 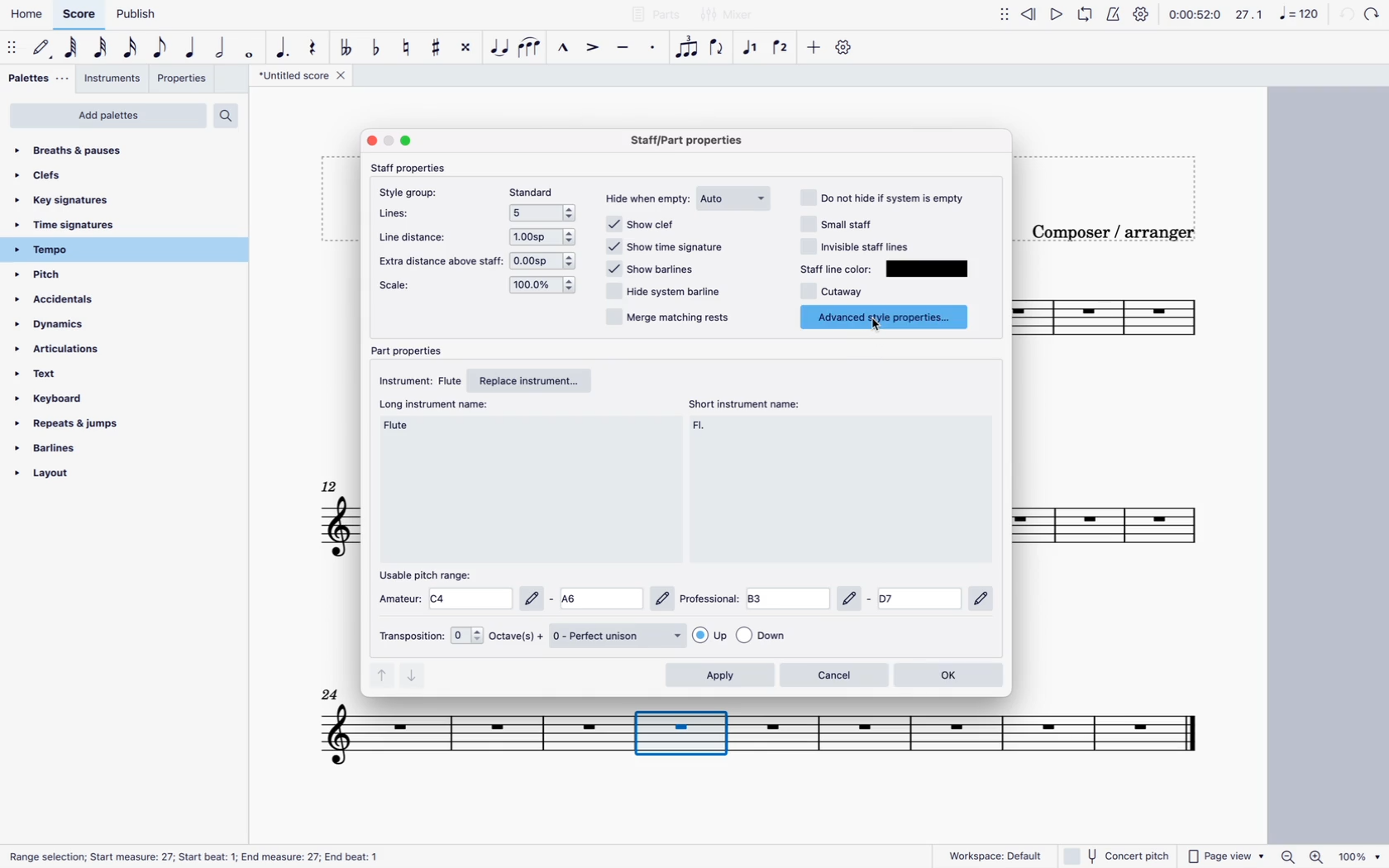 I want to click on default, so click(x=43, y=46).